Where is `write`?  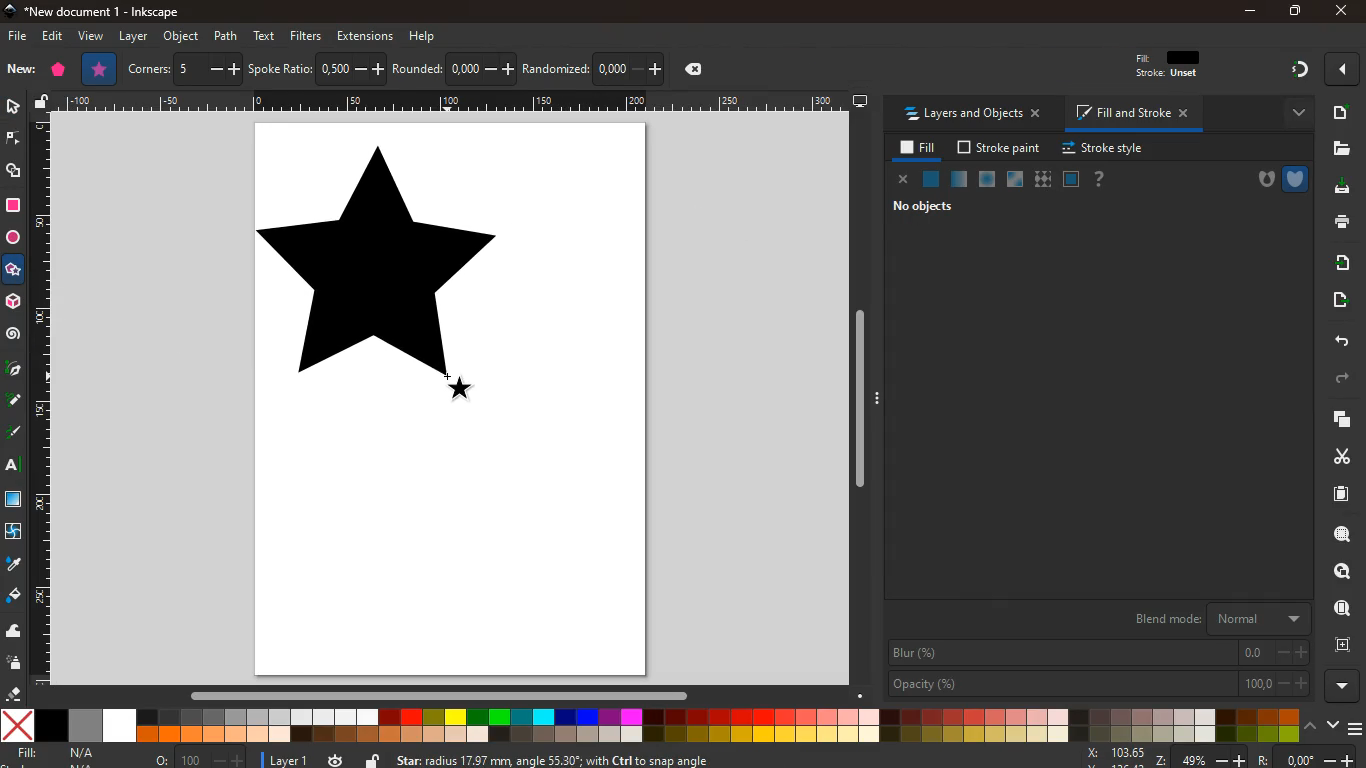 write is located at coordinates (14, 401).